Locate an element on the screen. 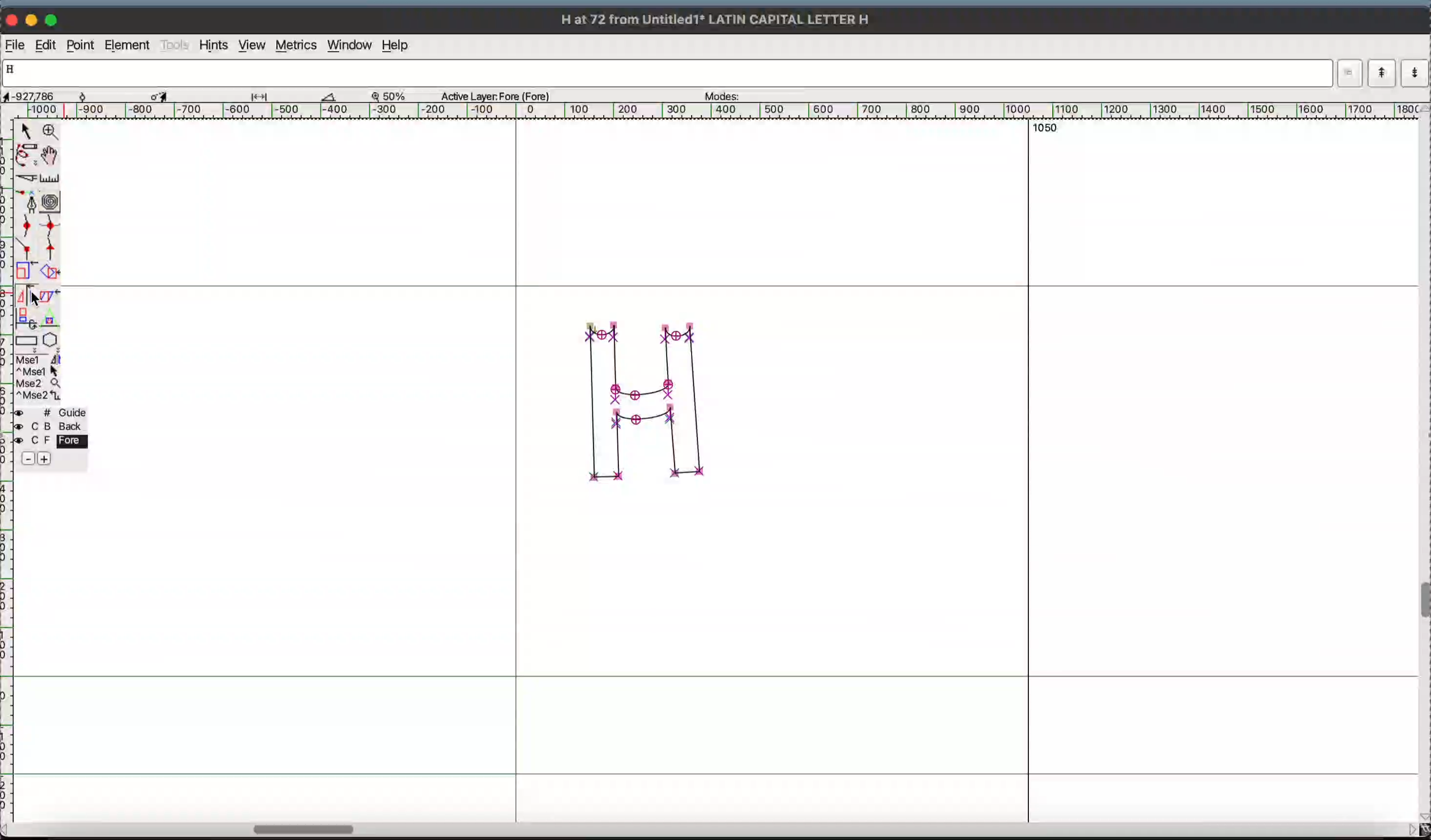  knife is located at coordinates (27, 178).